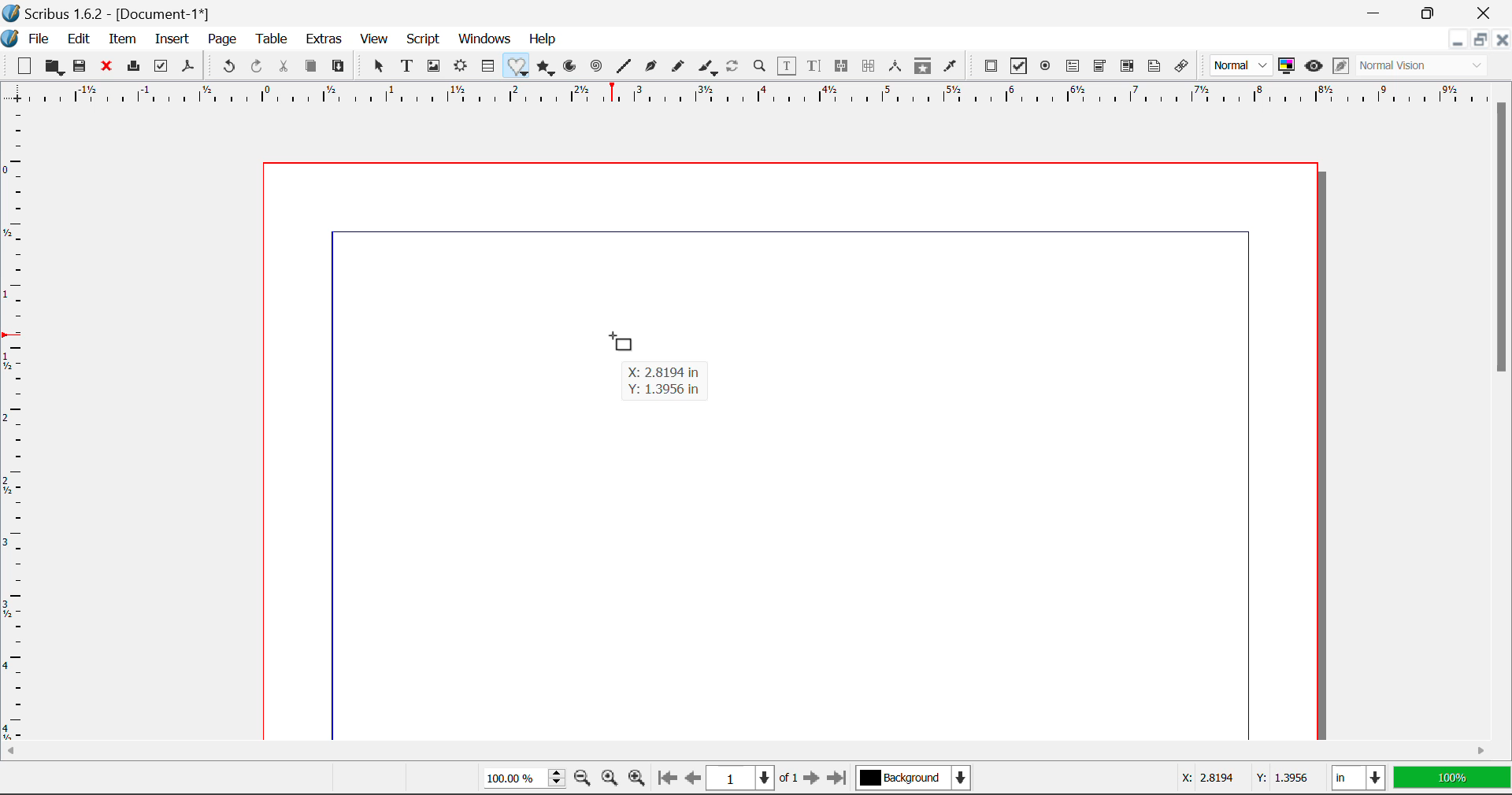 This screenshot has width=1512, height=795. Describe the element at coordinates (736, 68) in the screenshot. I see `Refresh` at that location.